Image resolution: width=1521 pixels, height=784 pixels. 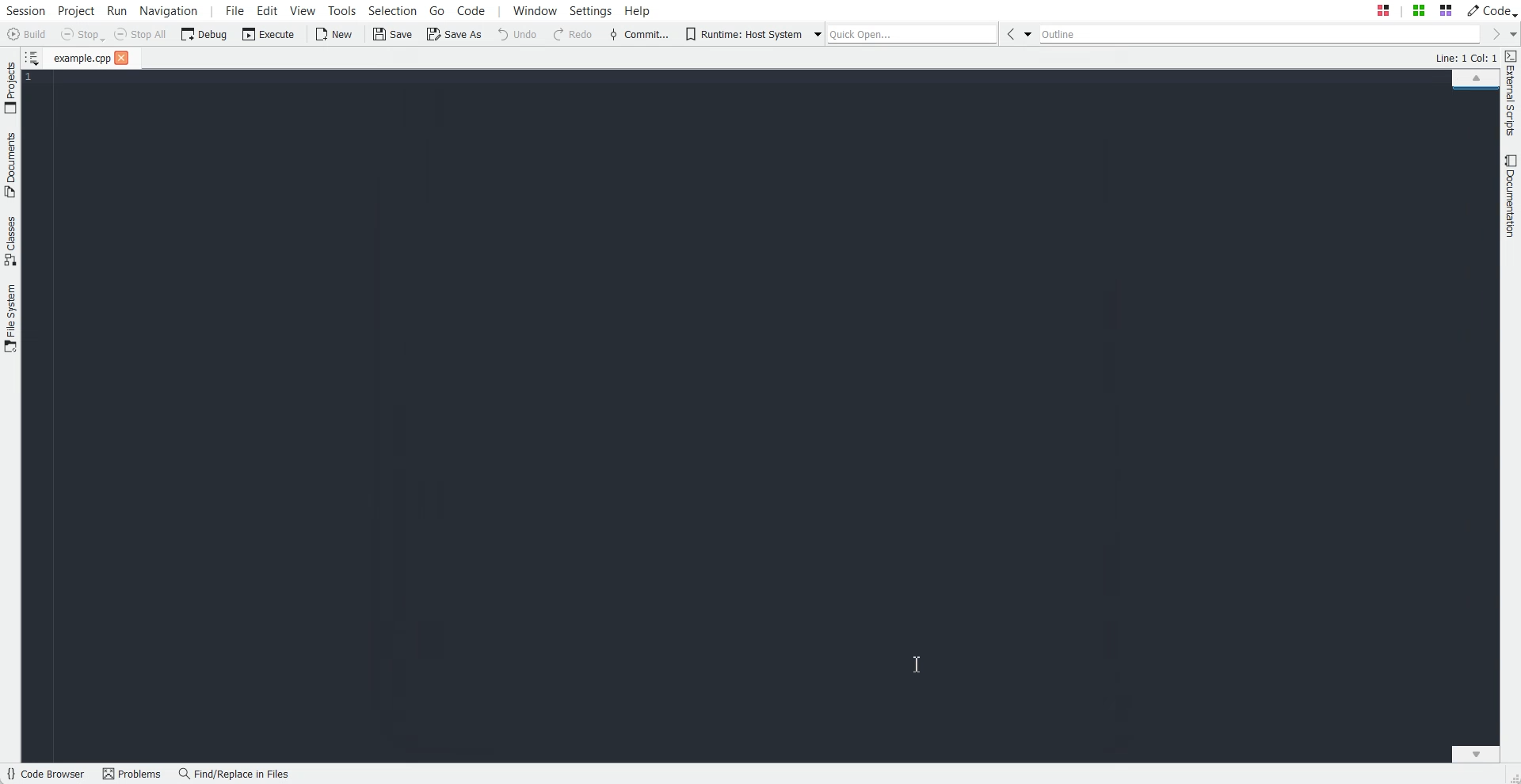 What do you see at coordinates (391, 33) in the screenshot?
I see `Save` at bounding box center [391, 33].